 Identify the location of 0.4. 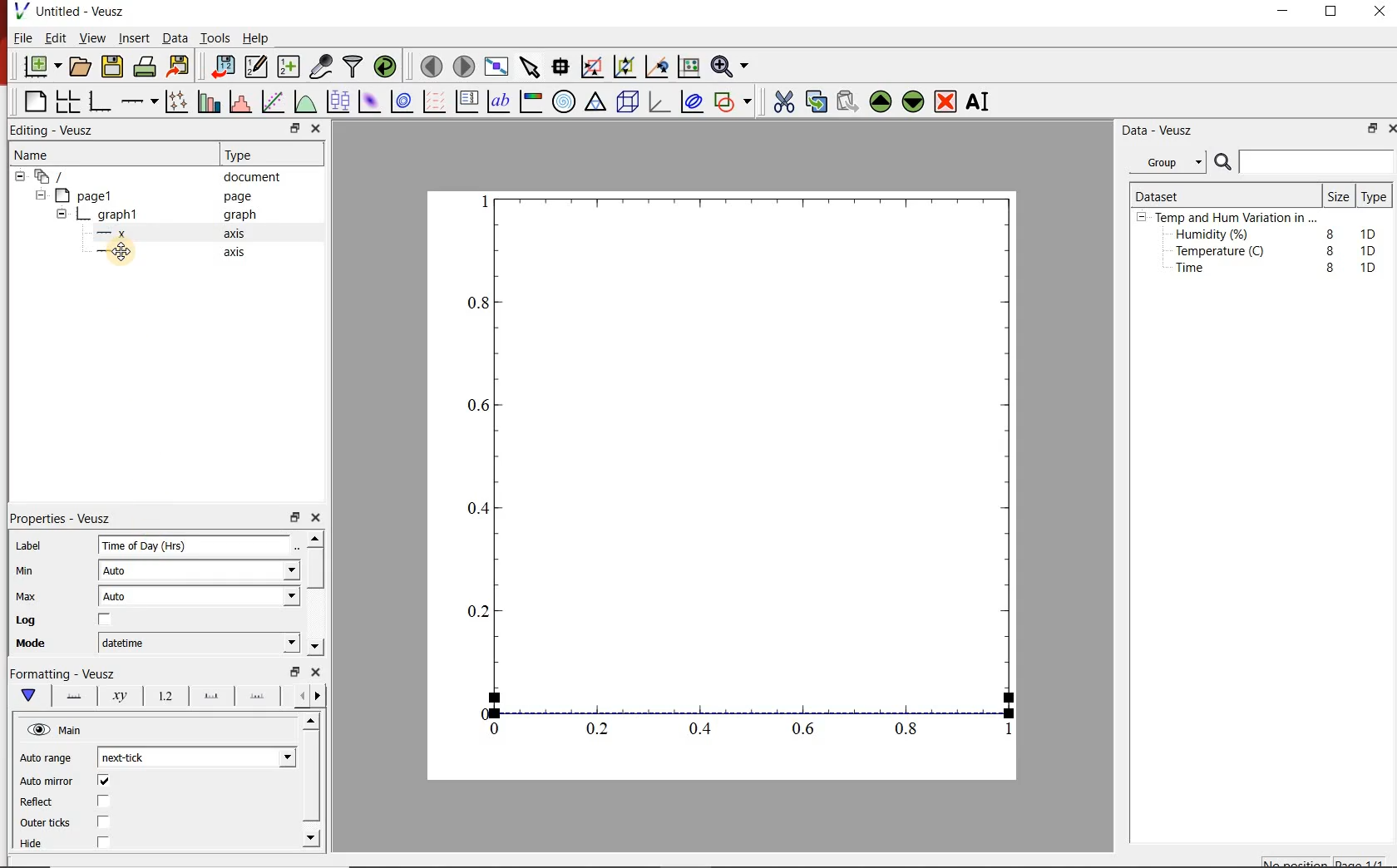
(475, 509).